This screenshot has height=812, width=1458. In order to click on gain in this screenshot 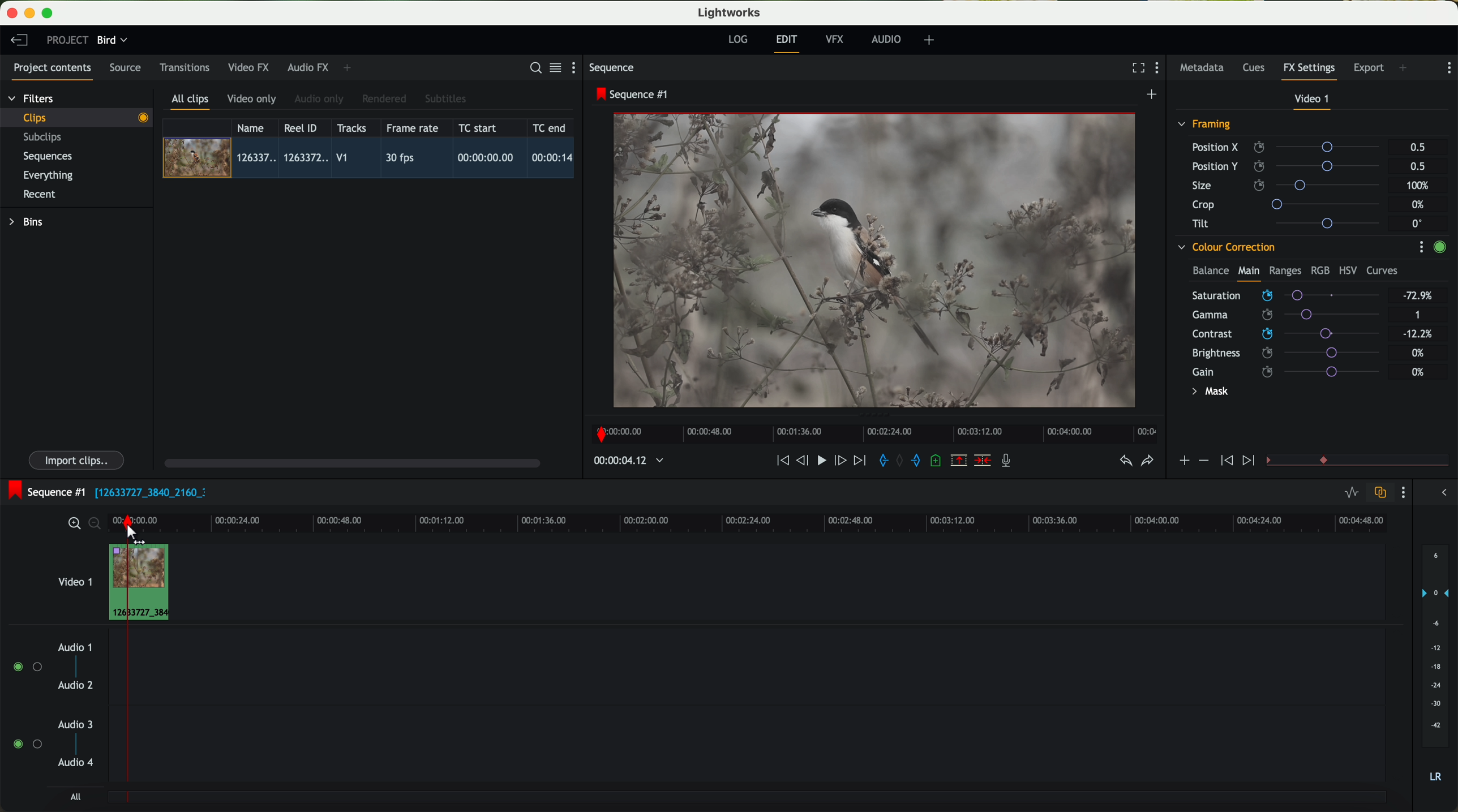, I will do `click(1293, 371)`.